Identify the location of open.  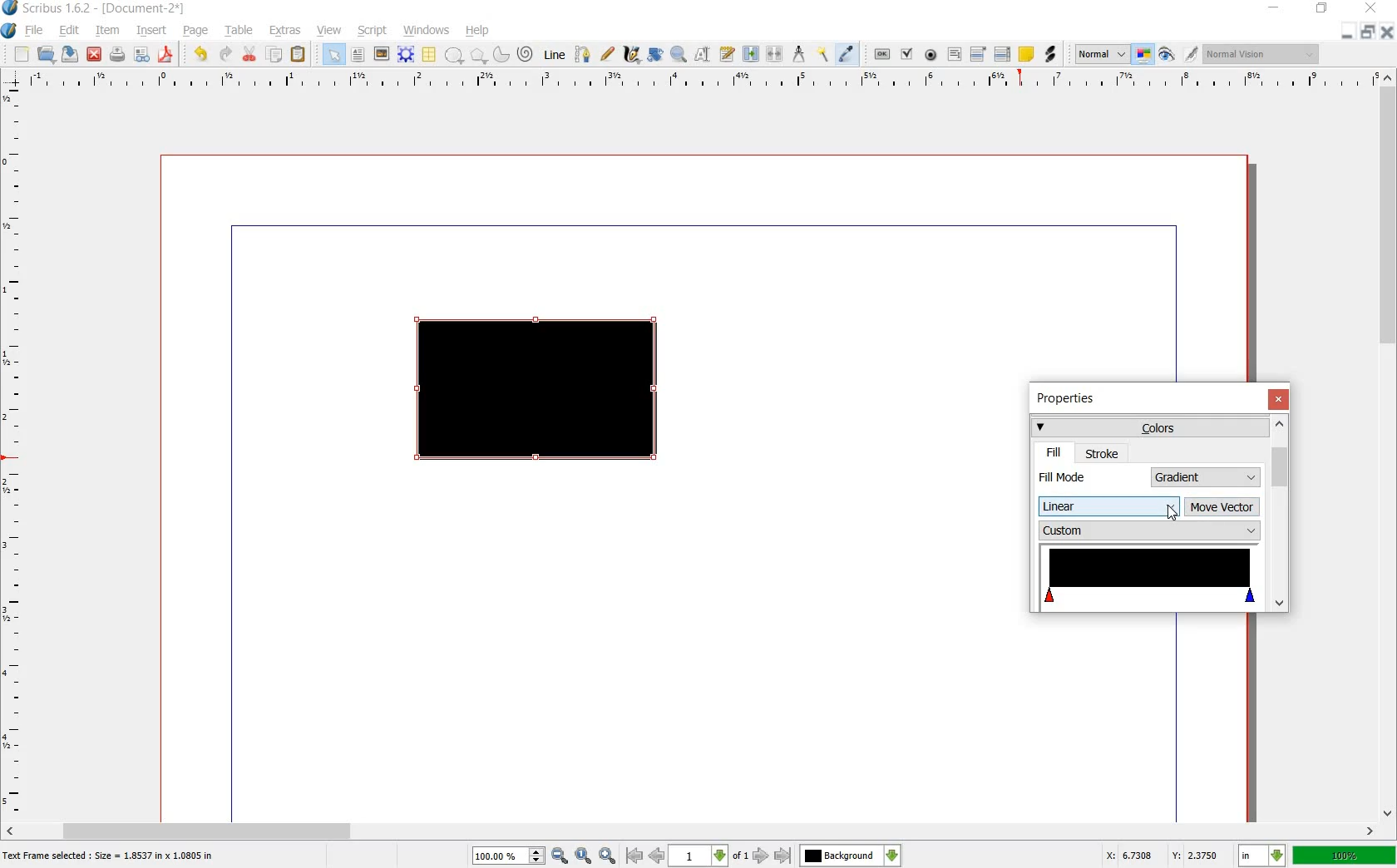
(48, 55).